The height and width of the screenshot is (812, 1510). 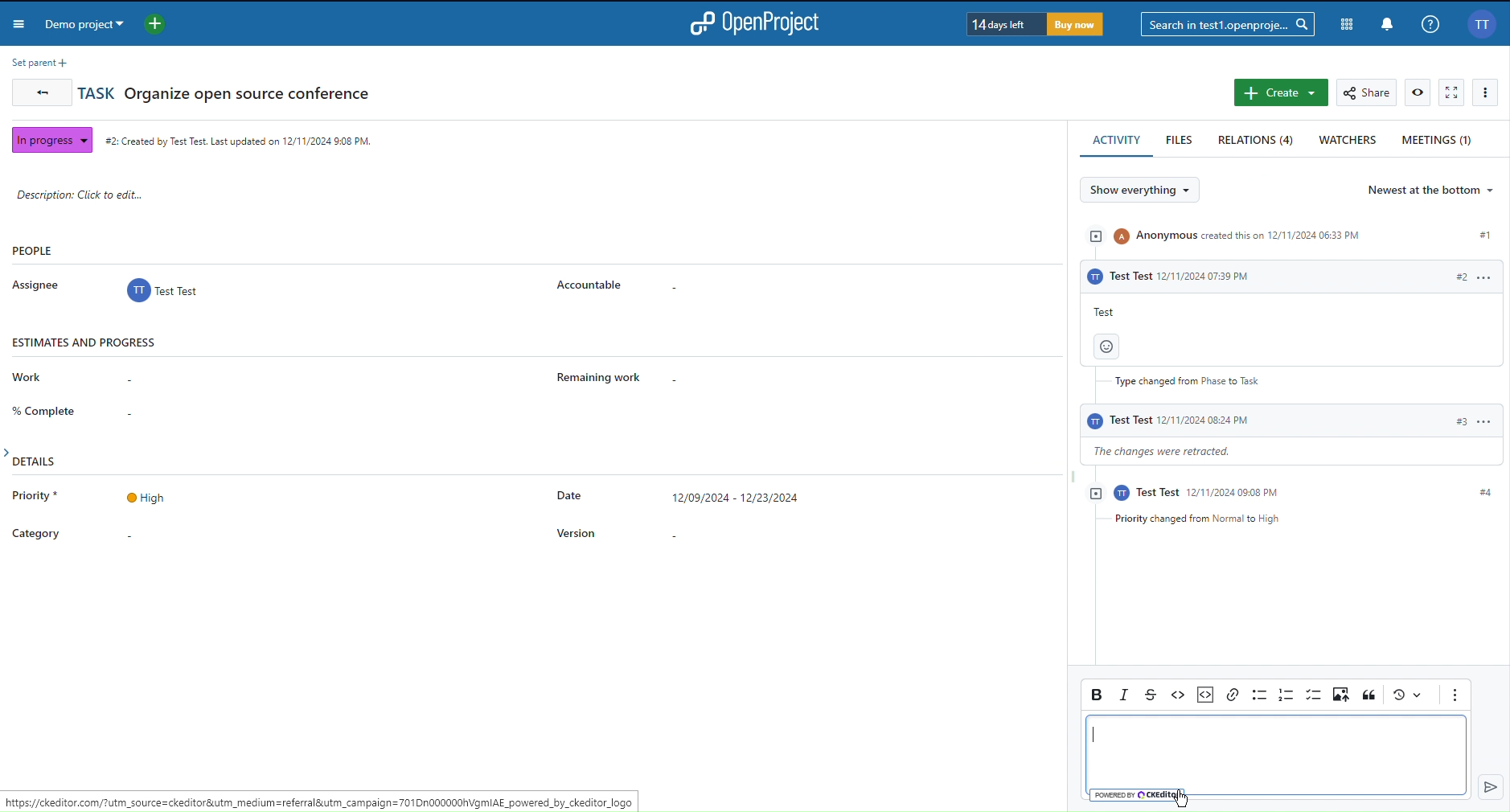 I want to click on Files, so click(x=1181, y=141).